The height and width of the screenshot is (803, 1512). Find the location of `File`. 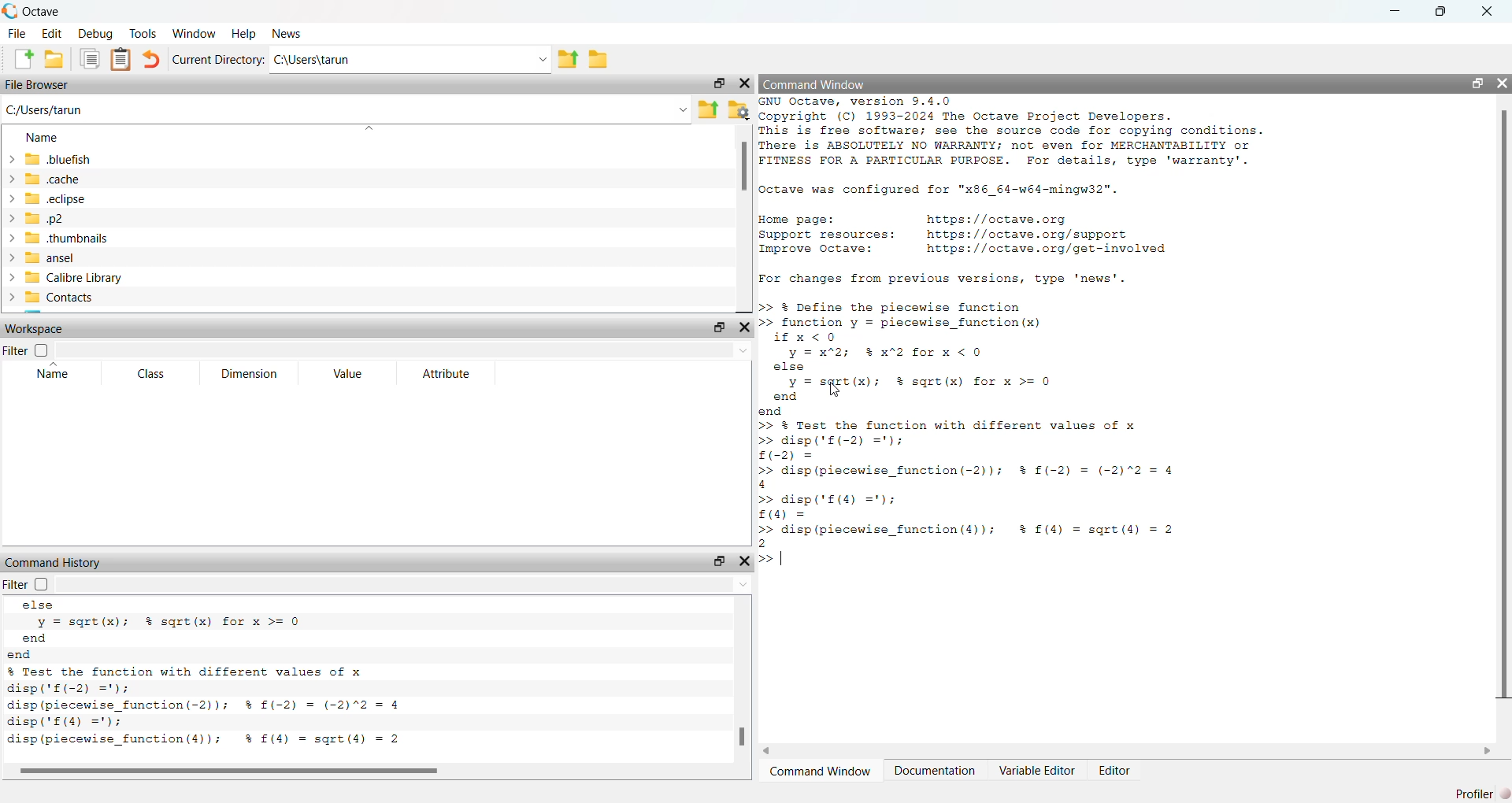

File is located at coordinates (17, 32).